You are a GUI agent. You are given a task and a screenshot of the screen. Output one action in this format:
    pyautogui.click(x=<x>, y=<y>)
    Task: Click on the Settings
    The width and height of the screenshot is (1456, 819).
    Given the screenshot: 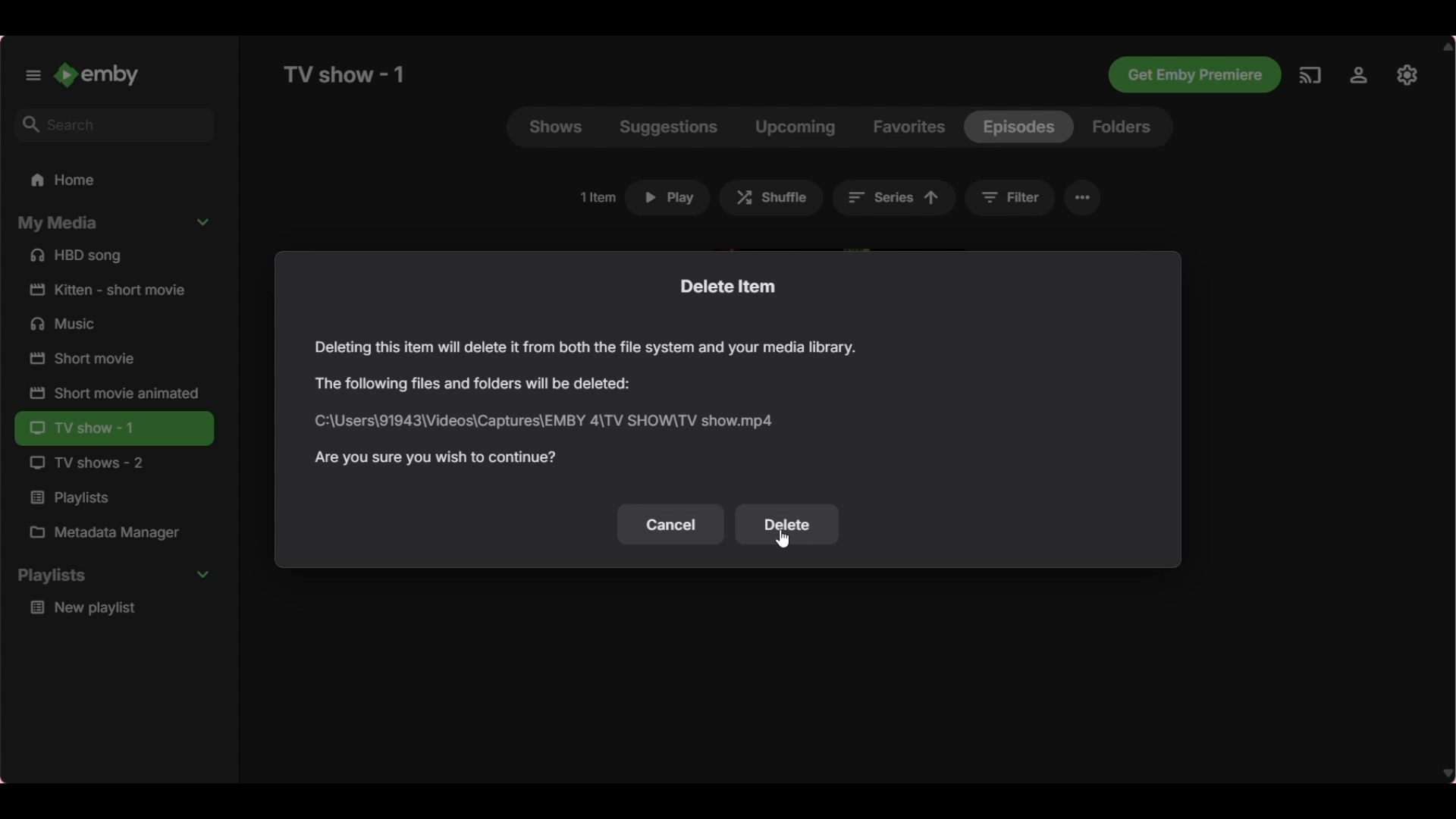 What is the action you would take?
    pyautogui.click(x=1359, y=75)
    